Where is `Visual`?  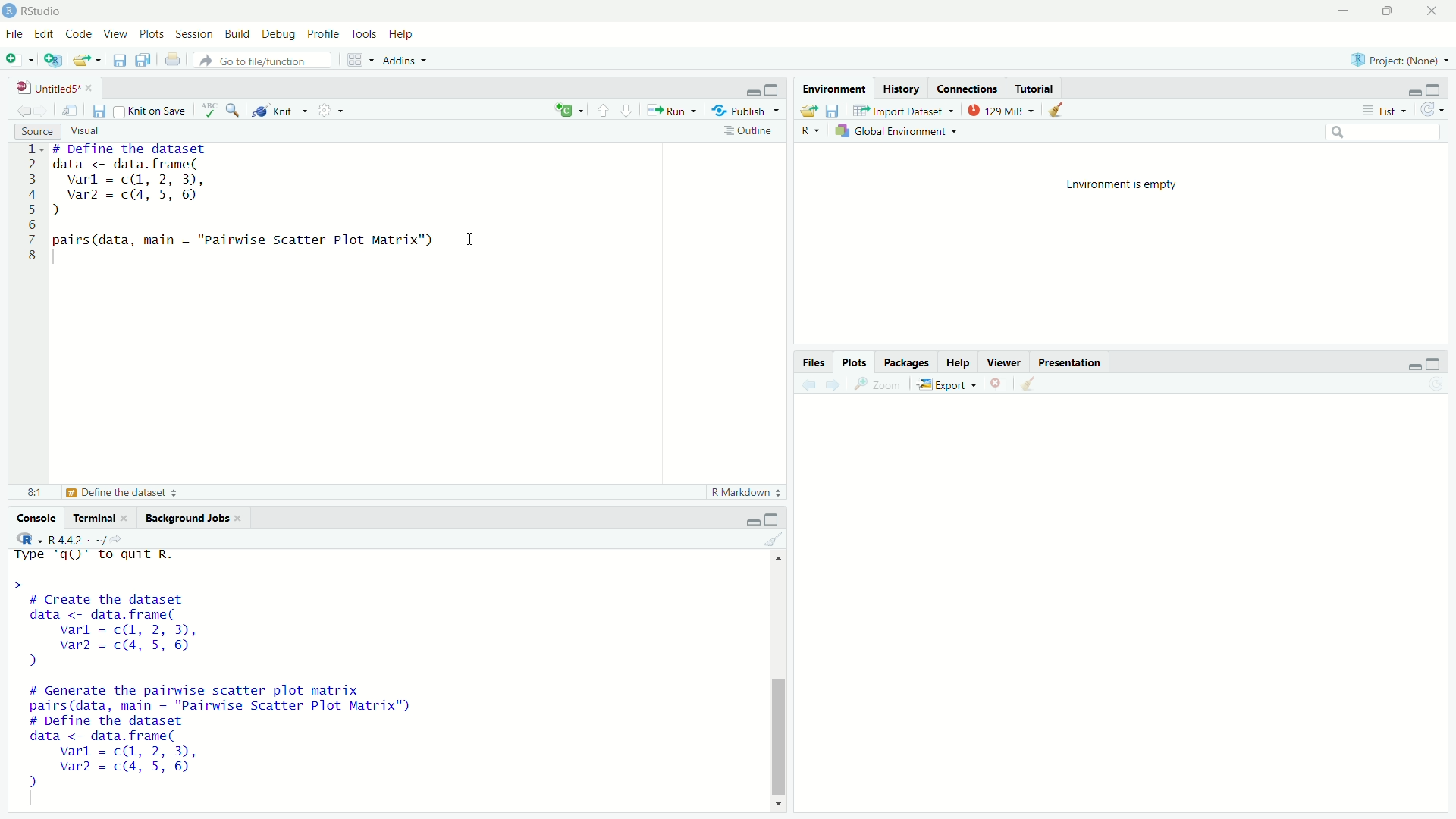 Visual is located at coordinates (89, 132).